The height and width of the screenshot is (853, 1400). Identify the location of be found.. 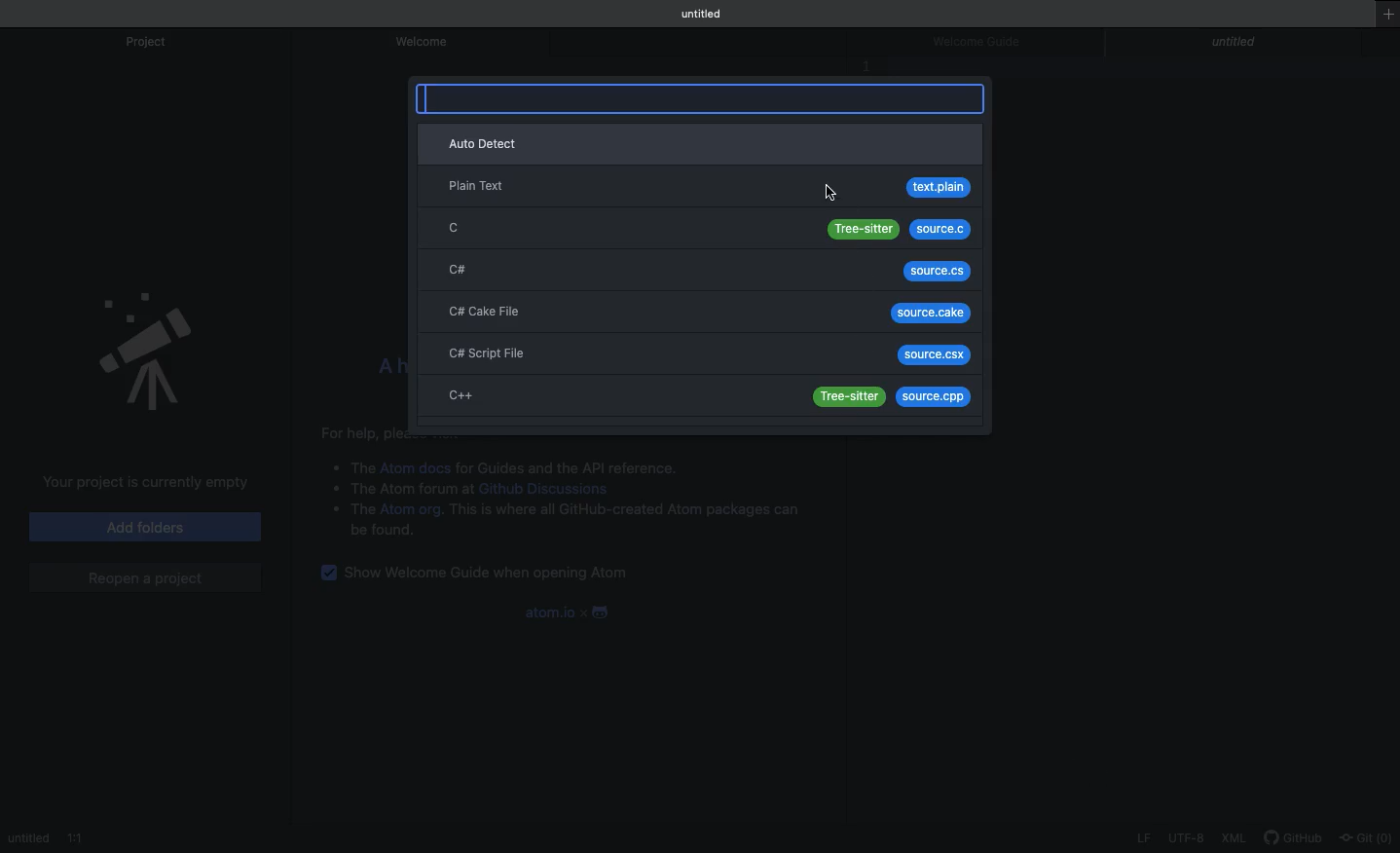
(380, 531).